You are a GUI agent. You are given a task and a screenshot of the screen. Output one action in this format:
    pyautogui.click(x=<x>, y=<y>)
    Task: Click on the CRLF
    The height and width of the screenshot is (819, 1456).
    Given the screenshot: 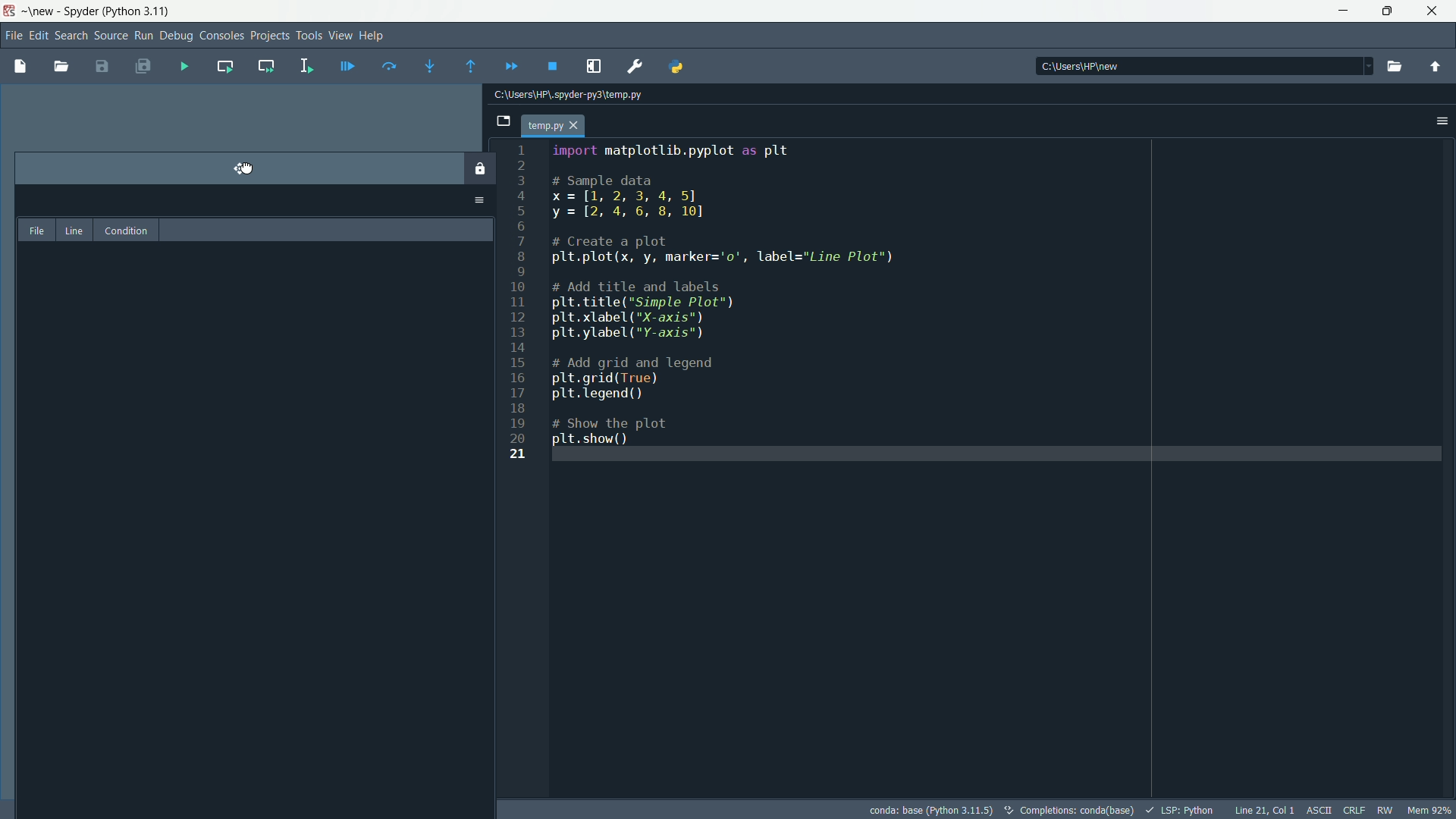 What is the action you would take?
    pyautogui.click(x=1354, y=811)
    